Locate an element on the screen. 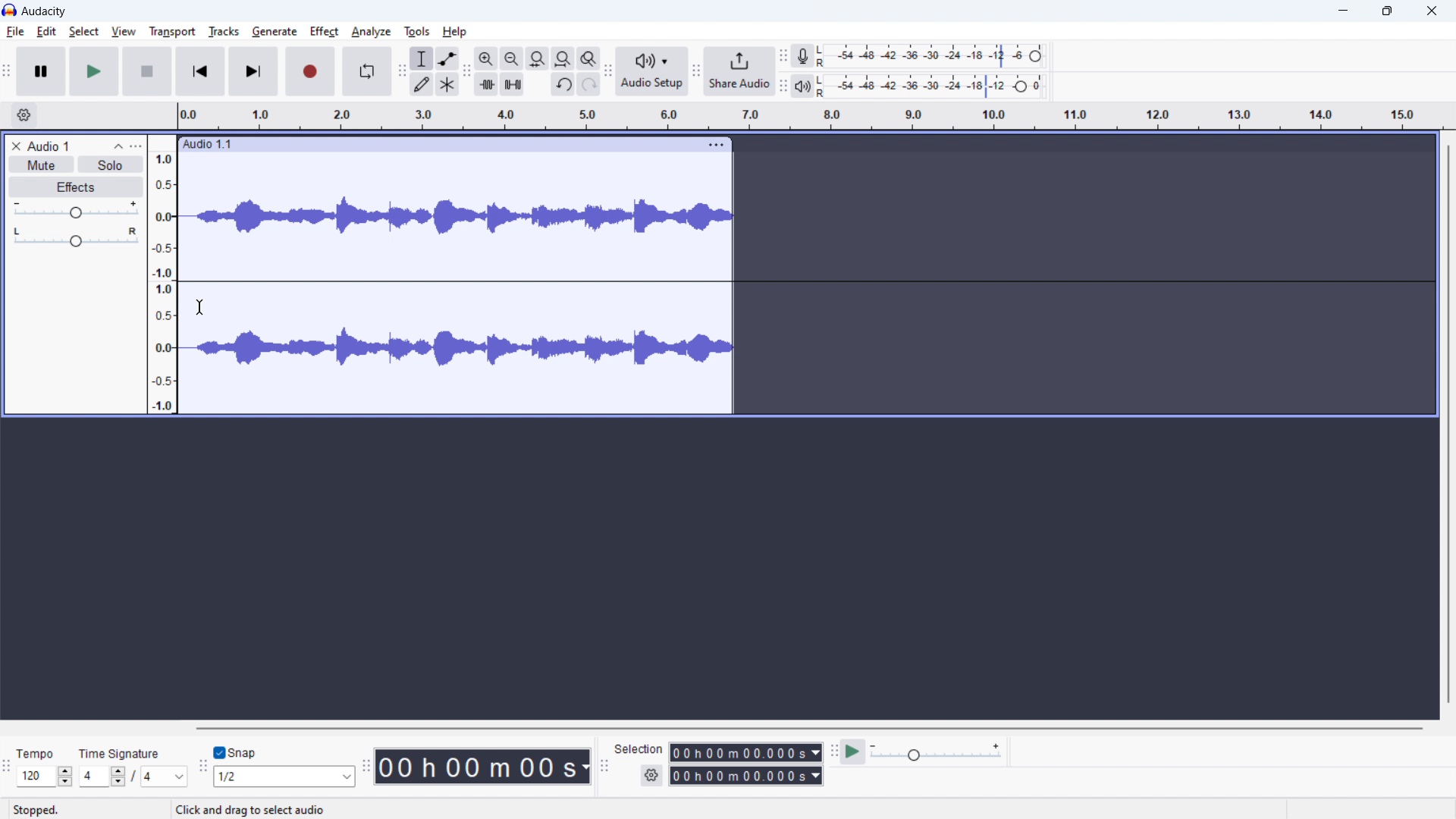 This screenshot has height=819, width=1456. play is located at coordinates (93, 71).